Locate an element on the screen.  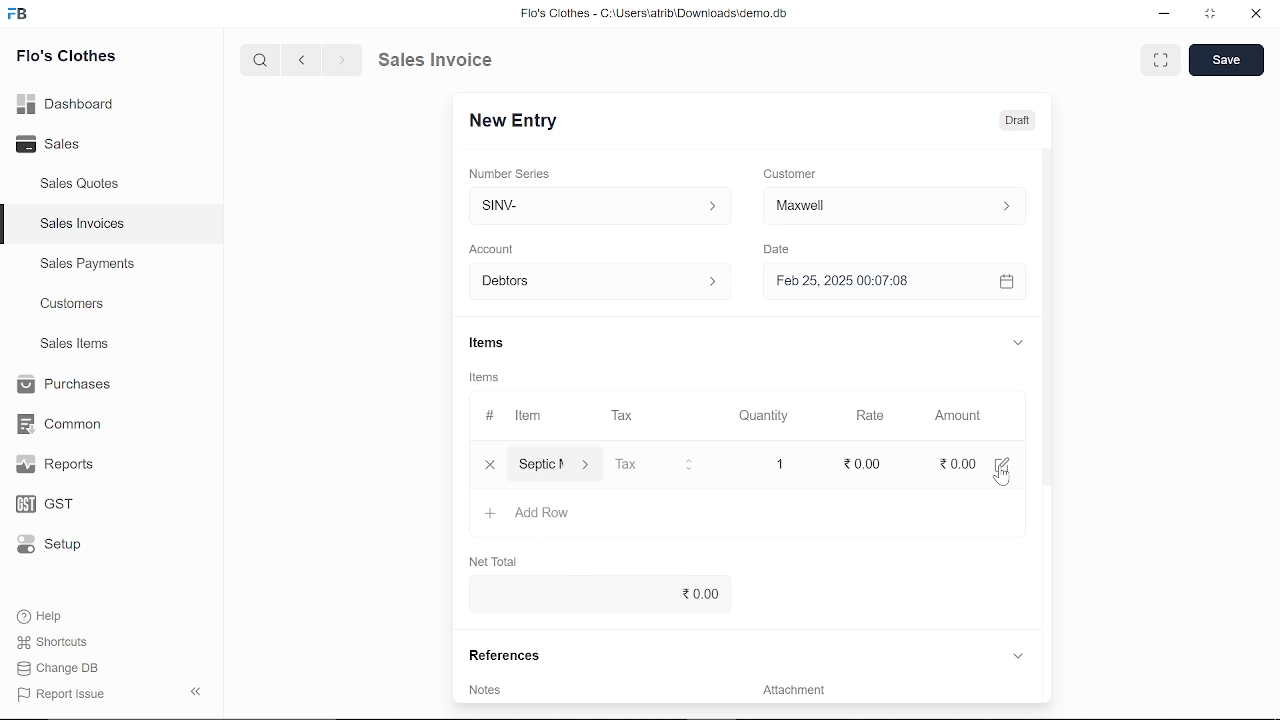
Tax is located at coordinates (634, 464).